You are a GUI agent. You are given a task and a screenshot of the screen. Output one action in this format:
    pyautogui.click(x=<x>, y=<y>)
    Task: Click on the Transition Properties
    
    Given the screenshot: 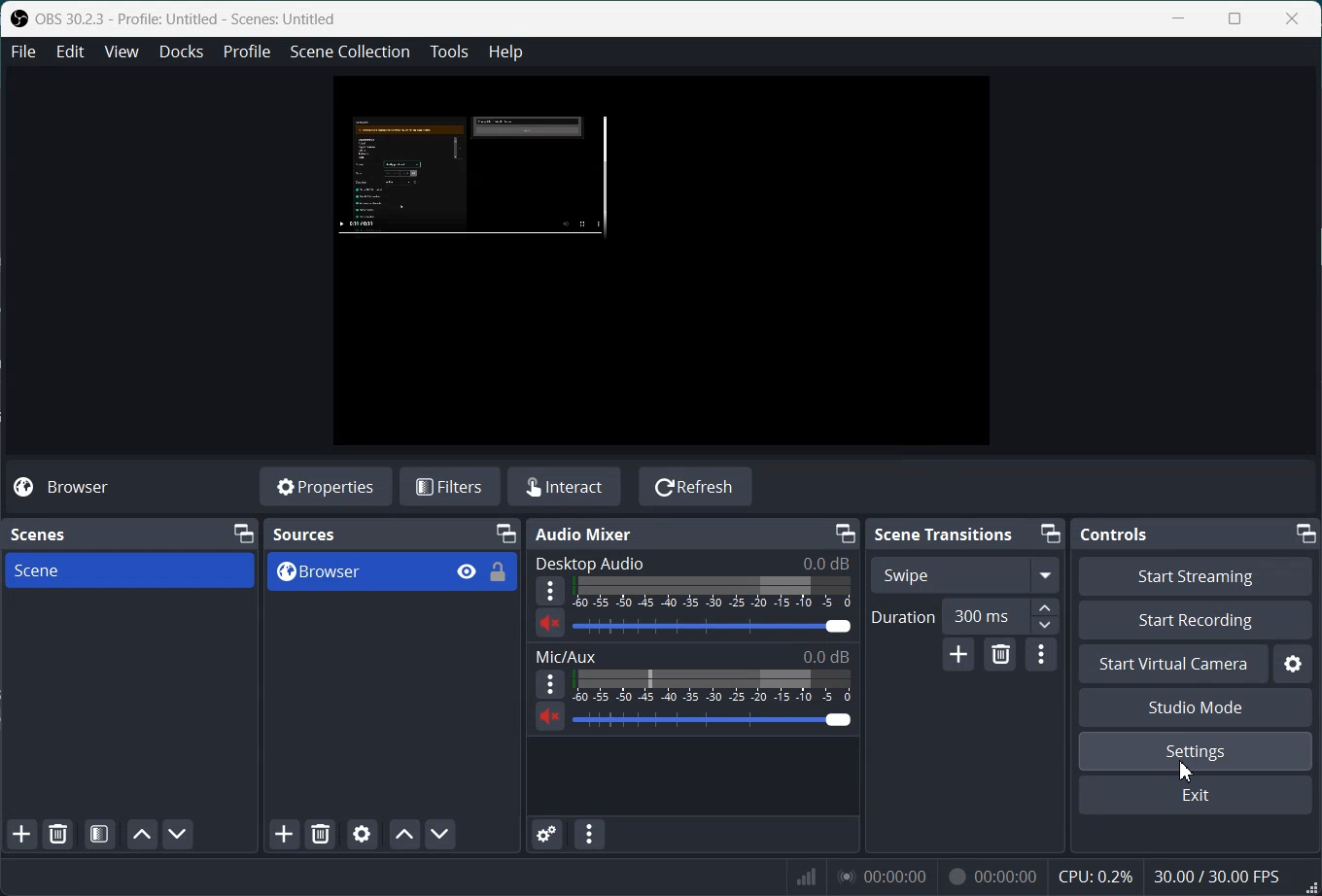 What is the action you would take?
    pyautogui.click(x=1041, y=658)
    